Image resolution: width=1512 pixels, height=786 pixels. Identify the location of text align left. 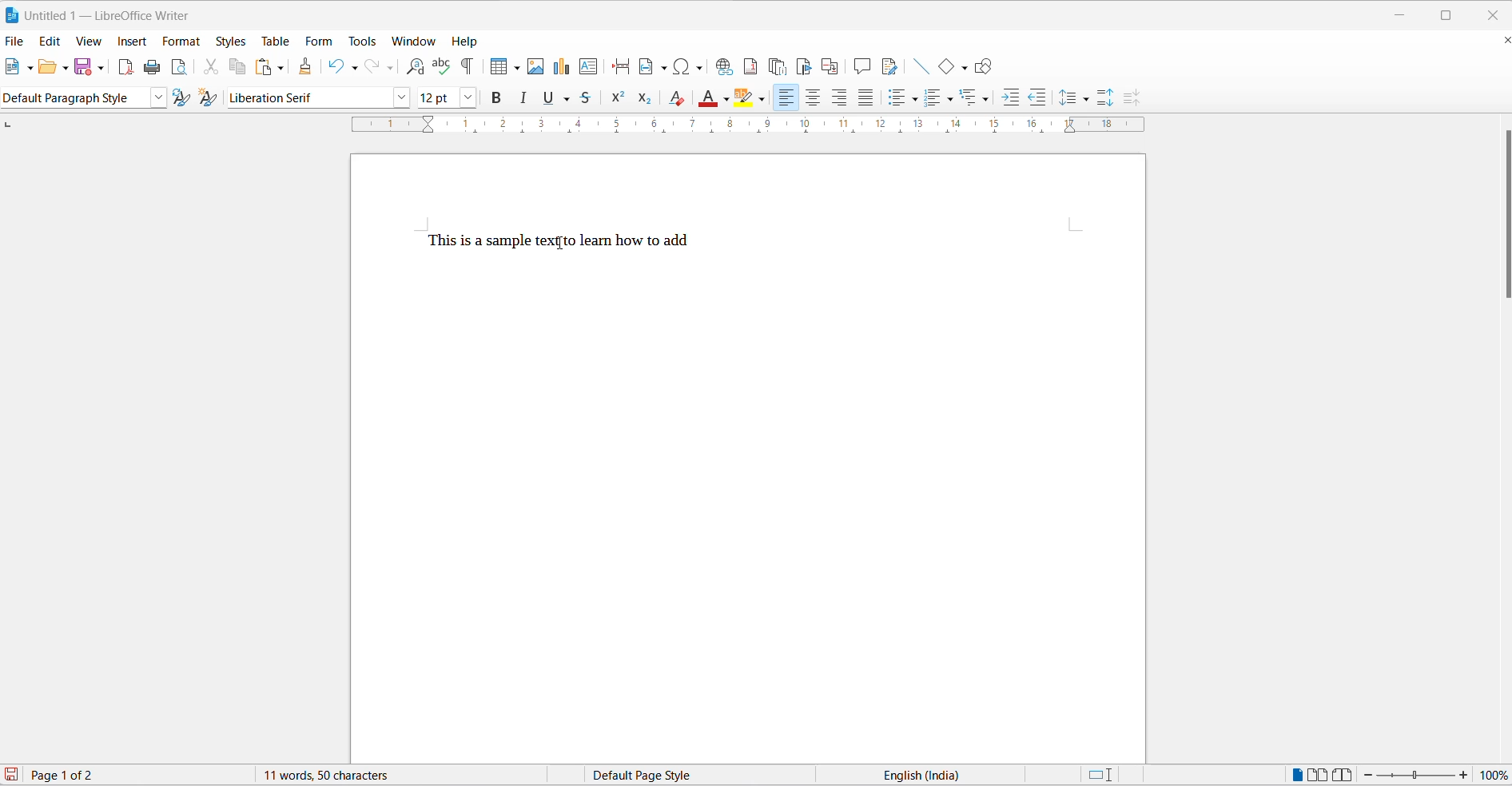
(841, 97).